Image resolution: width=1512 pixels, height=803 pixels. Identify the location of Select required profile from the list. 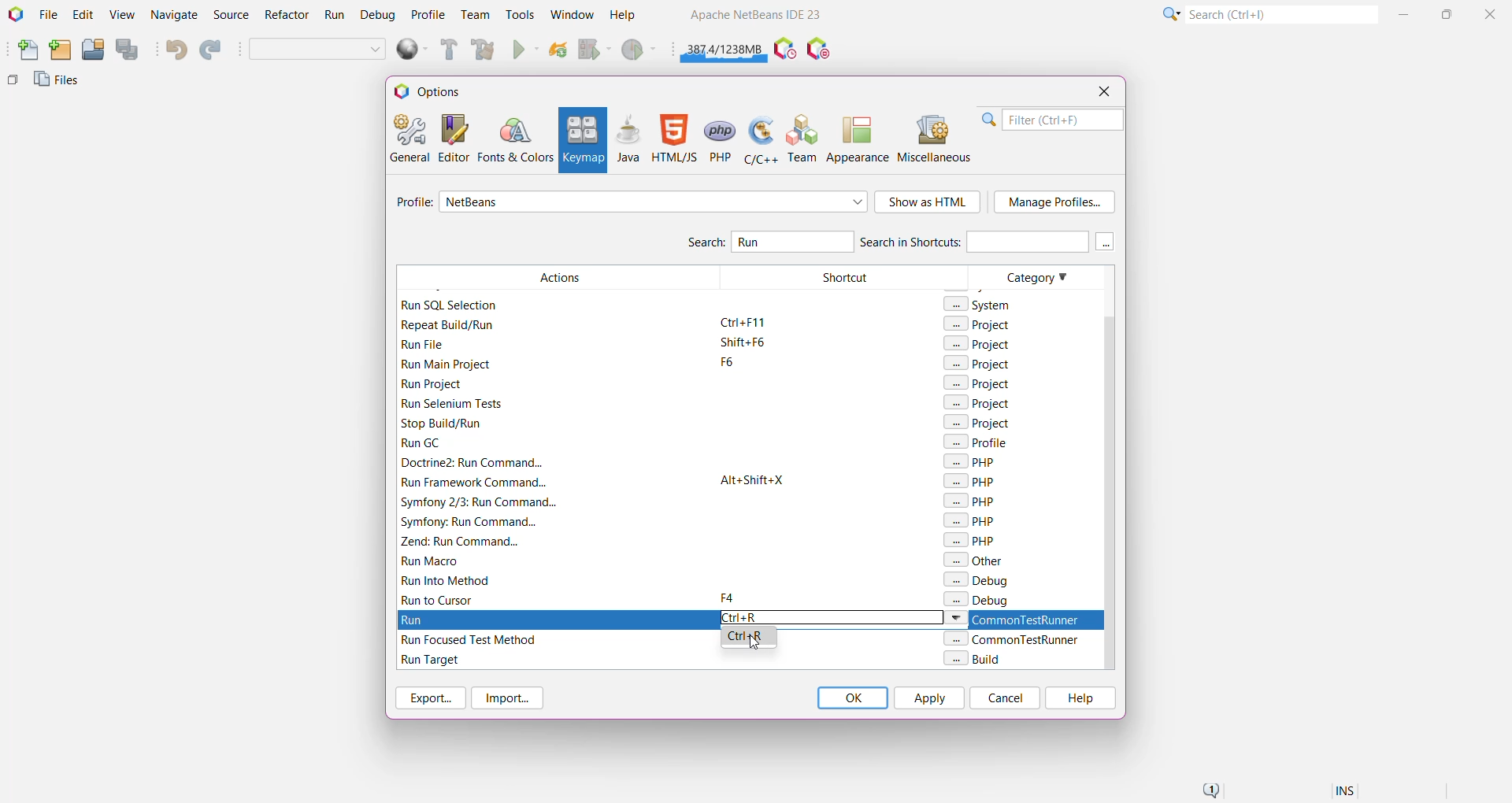
(654, 202).